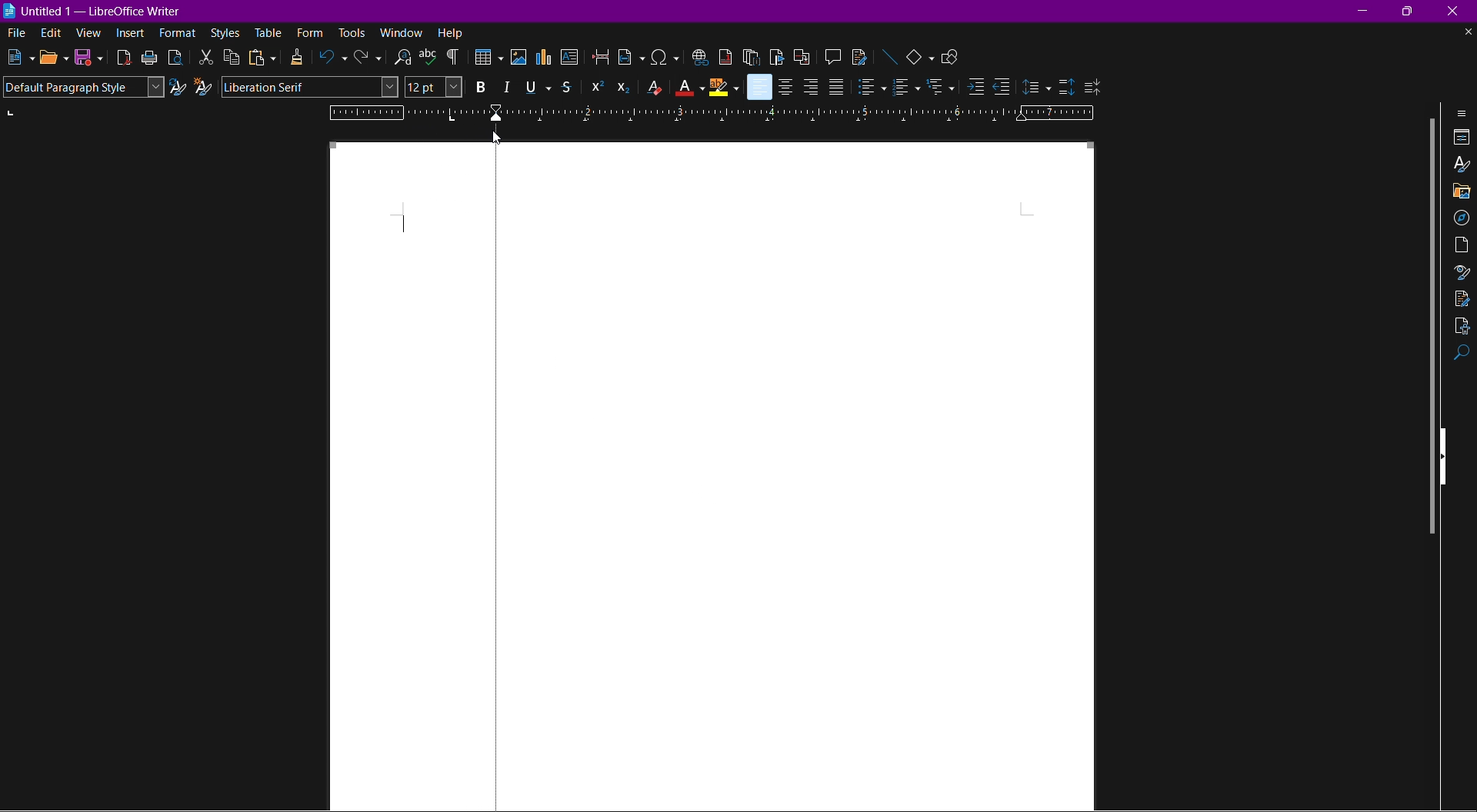  Describe the element at coordinates (178, 34) in the screenshot. I see `format` at that location.